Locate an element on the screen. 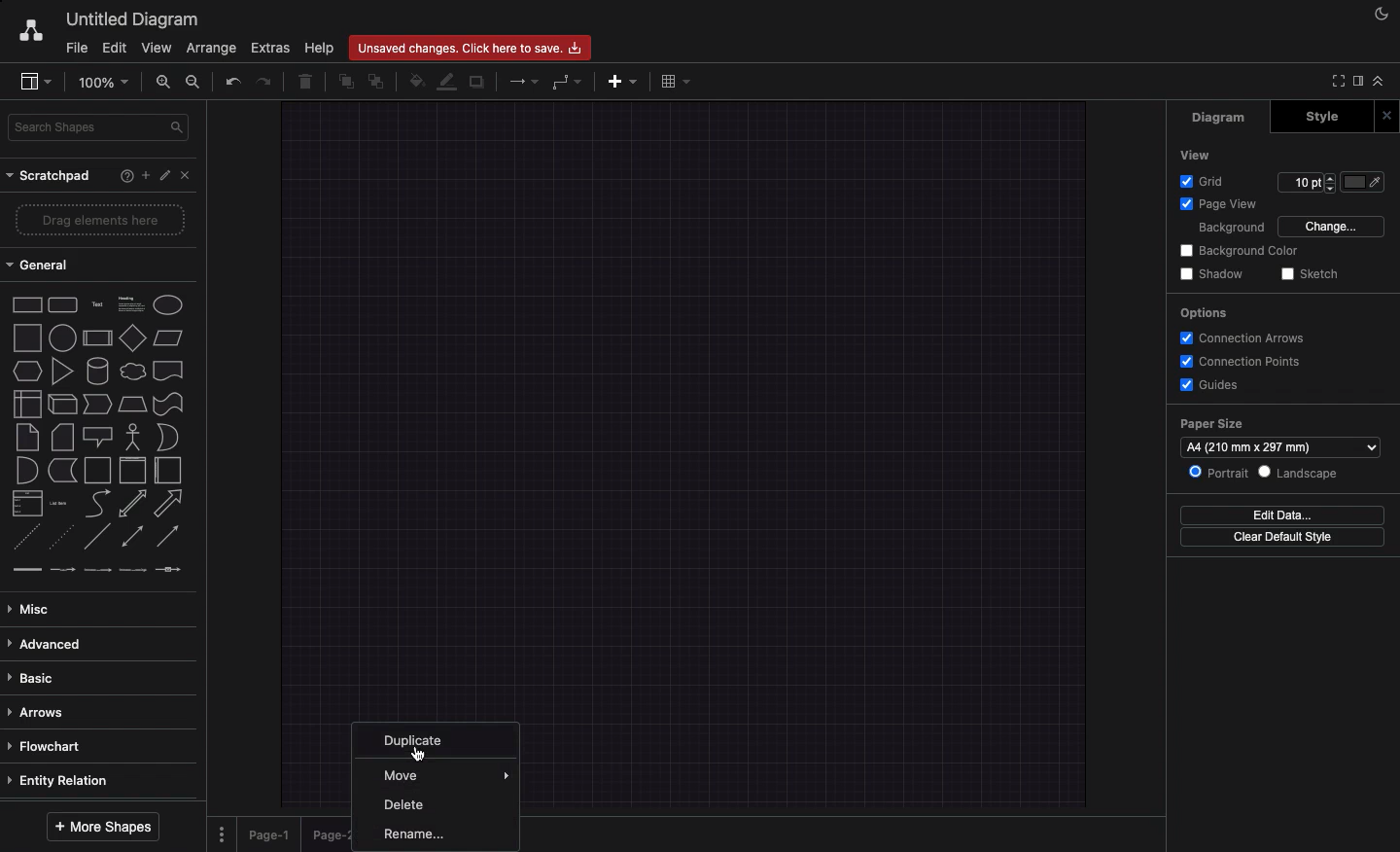  Guides  is located at coordinates (1208, 383).